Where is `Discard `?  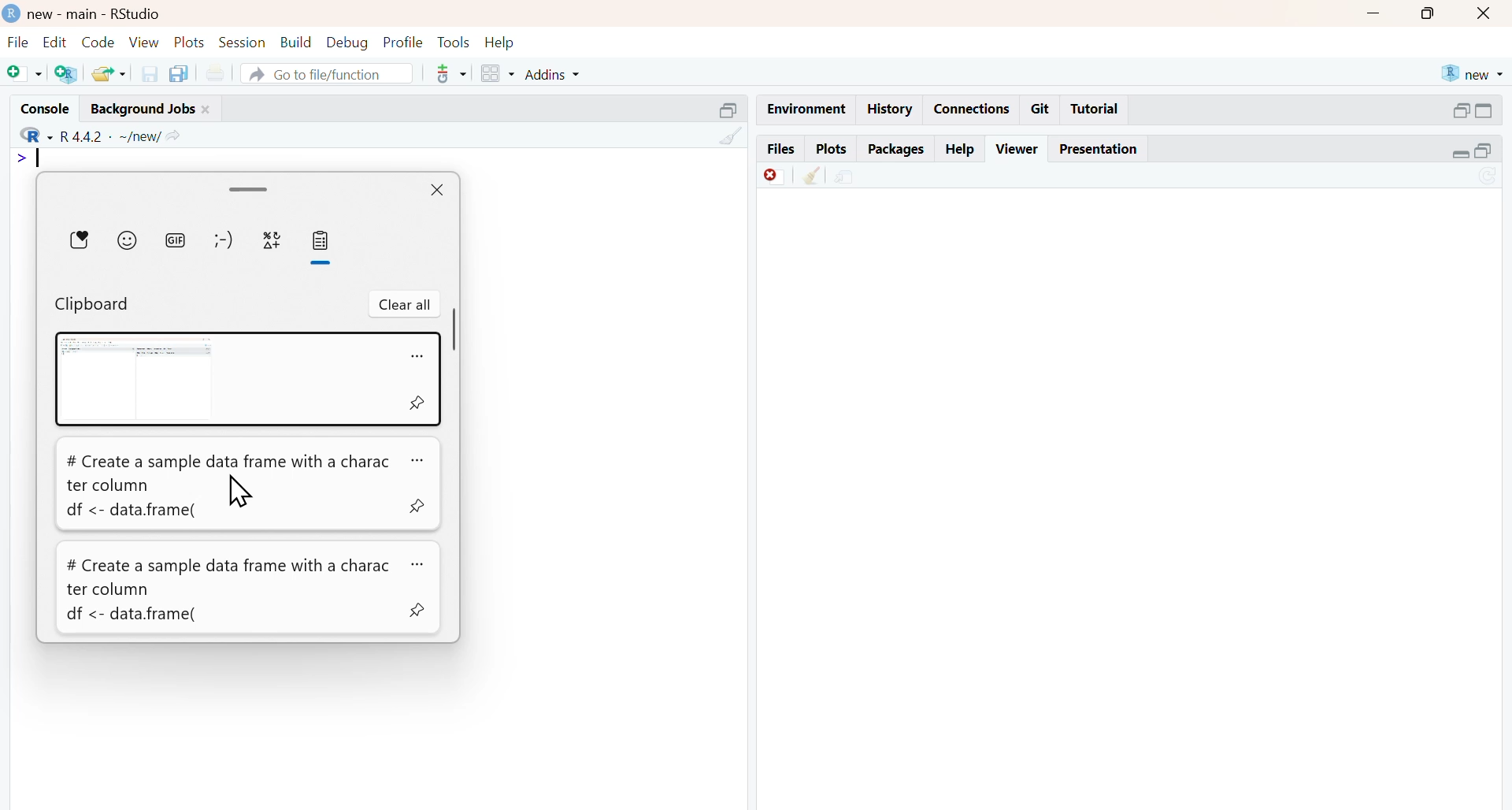 Discard  is located at coordinates (775, 176).